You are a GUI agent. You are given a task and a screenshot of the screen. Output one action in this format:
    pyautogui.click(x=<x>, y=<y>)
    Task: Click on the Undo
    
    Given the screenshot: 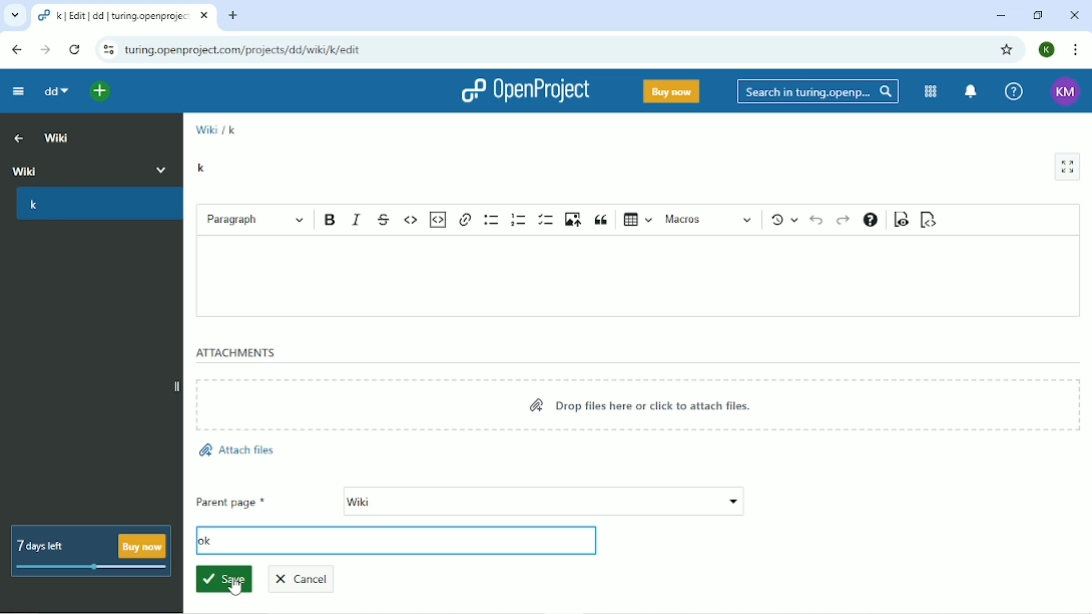 What is the action you would take?
    pyautogui.click(x=816, y=220)
    